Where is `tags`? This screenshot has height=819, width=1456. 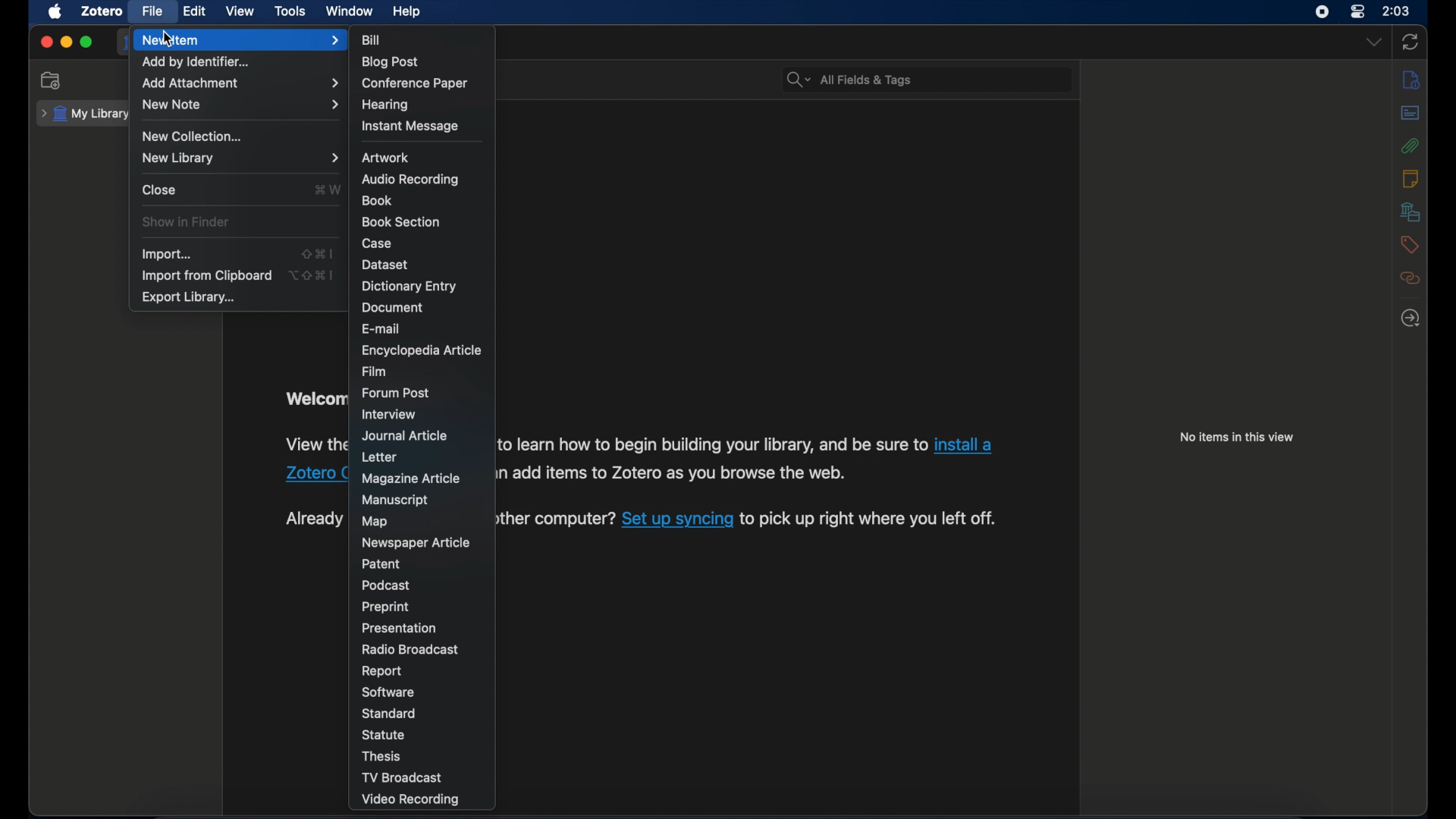
tags is located at coordinates (1411, 245).